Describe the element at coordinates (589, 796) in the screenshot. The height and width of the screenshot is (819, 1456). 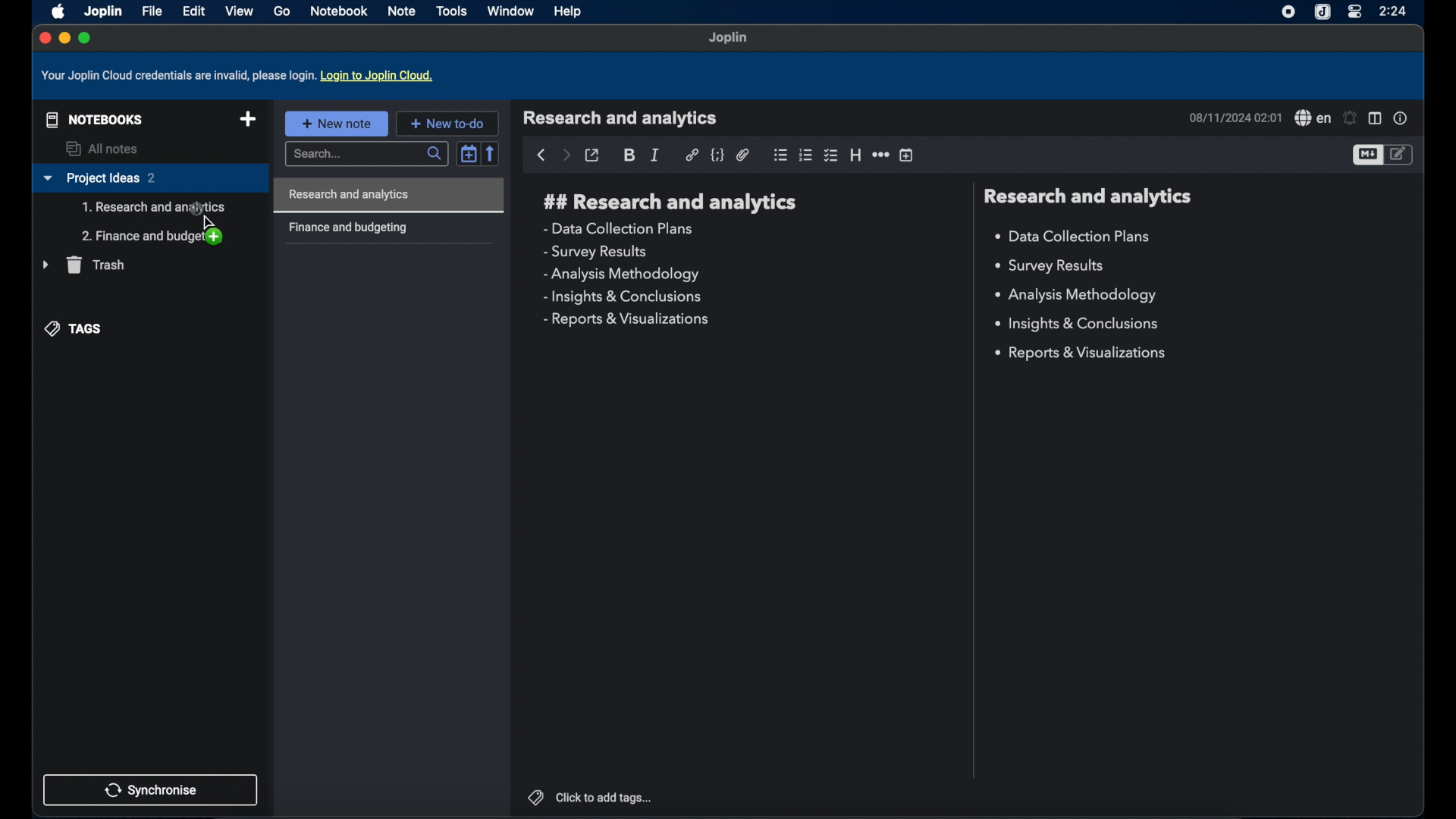
I see `click to add tags` at that location.